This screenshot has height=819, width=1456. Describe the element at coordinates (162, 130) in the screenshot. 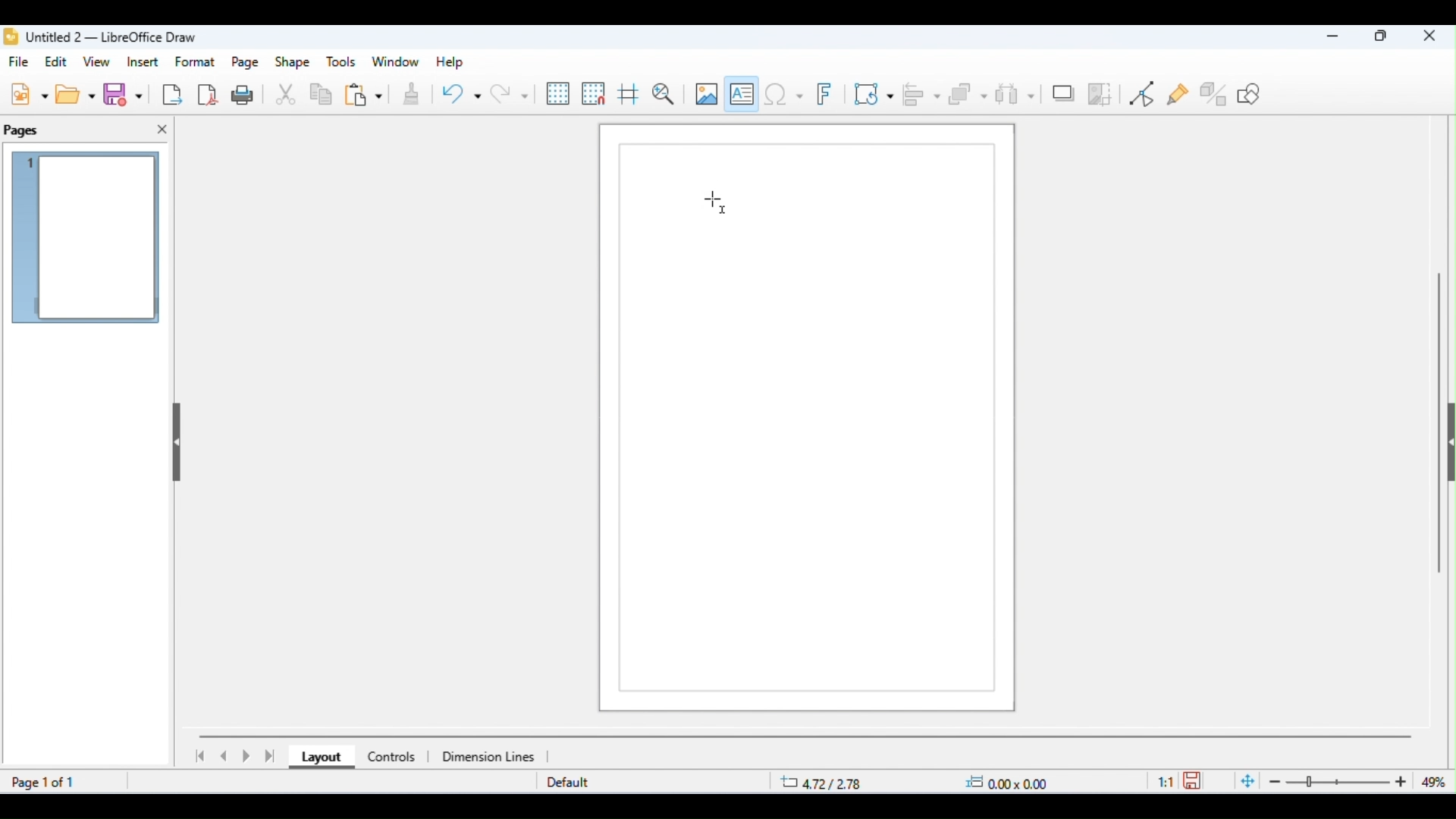

I see `close` at that location.